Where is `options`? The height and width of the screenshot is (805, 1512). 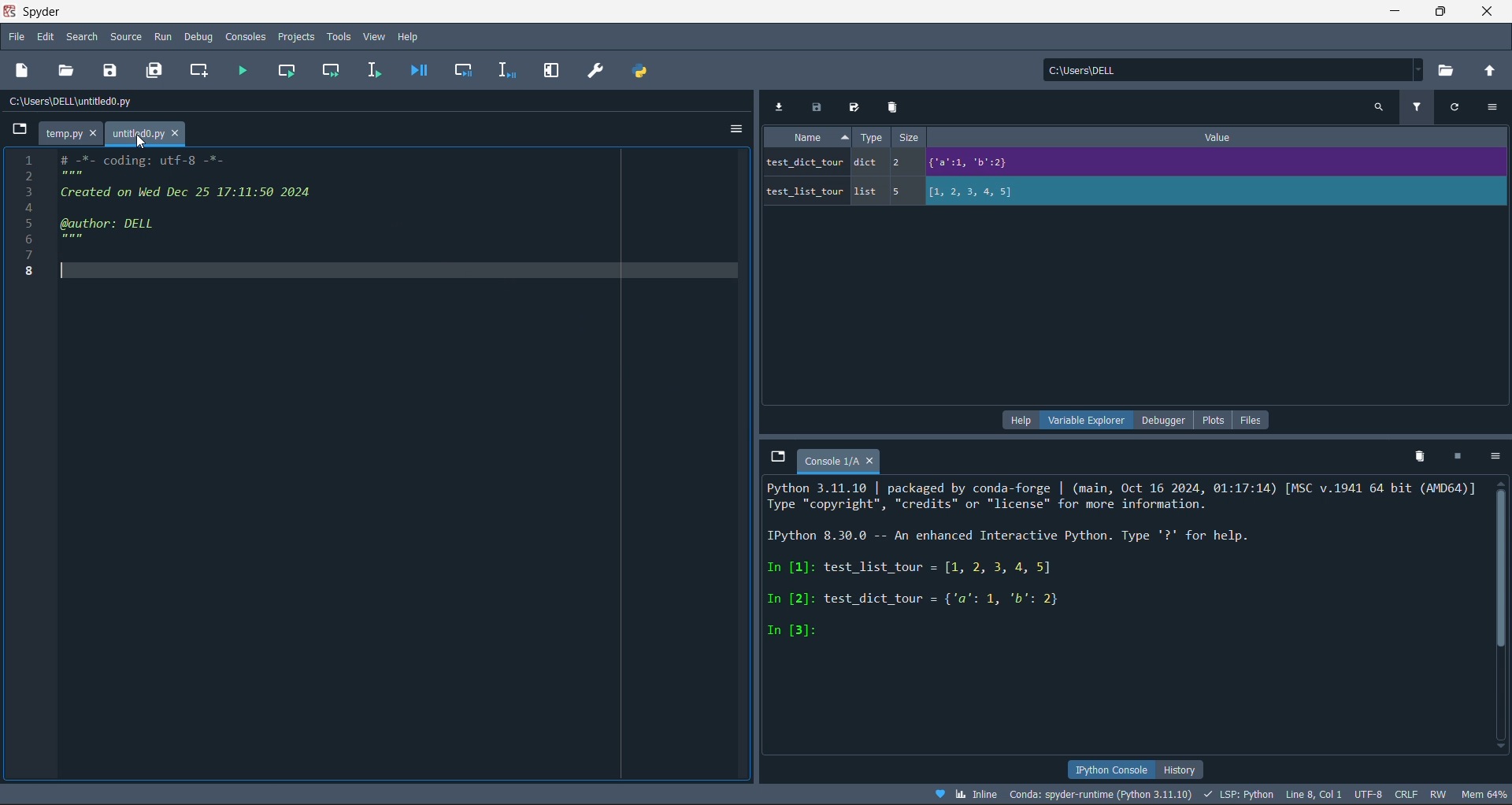 options is located at coordinates (1495, 109).